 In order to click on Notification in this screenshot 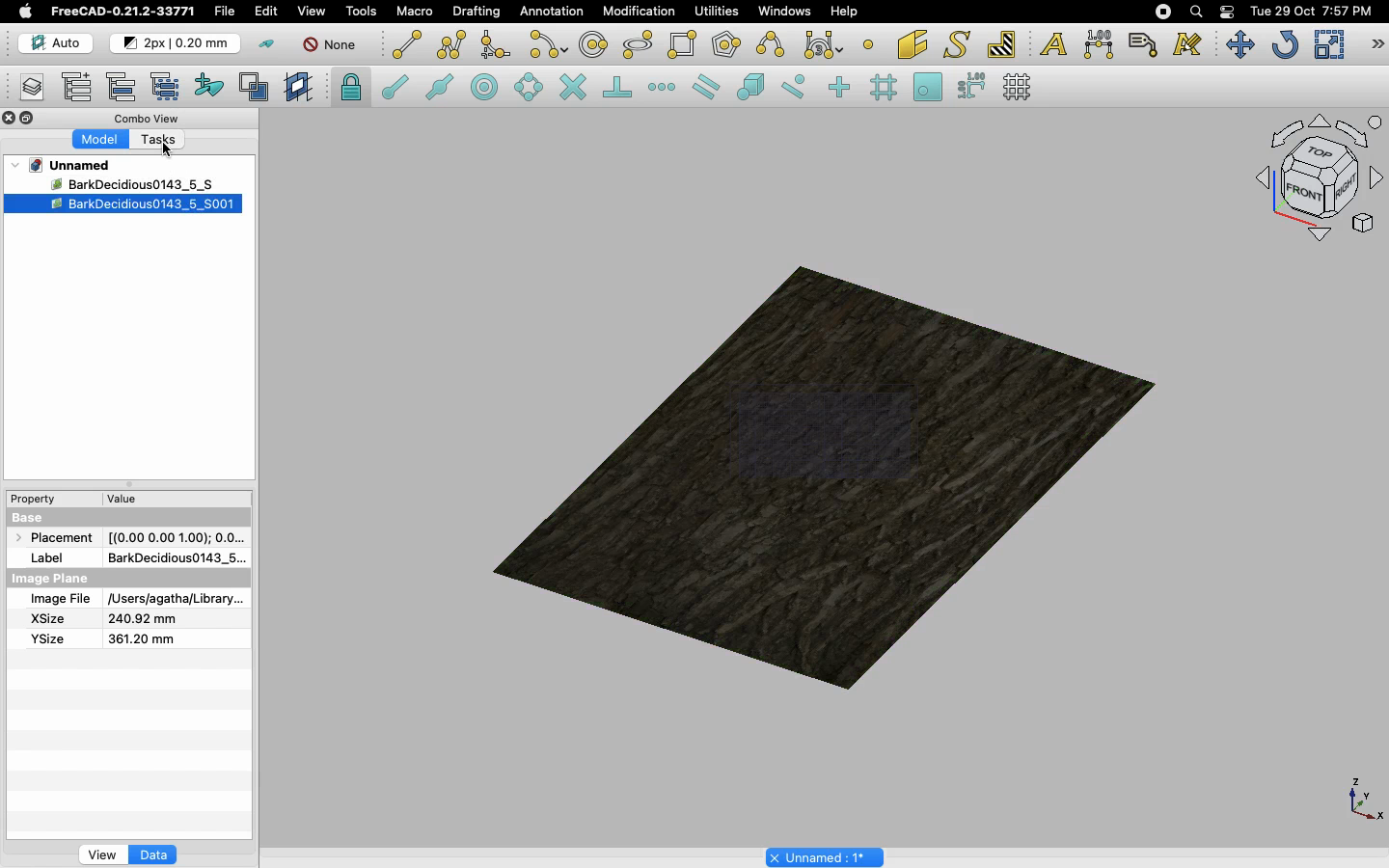, I will do `click(1229, 11)`.